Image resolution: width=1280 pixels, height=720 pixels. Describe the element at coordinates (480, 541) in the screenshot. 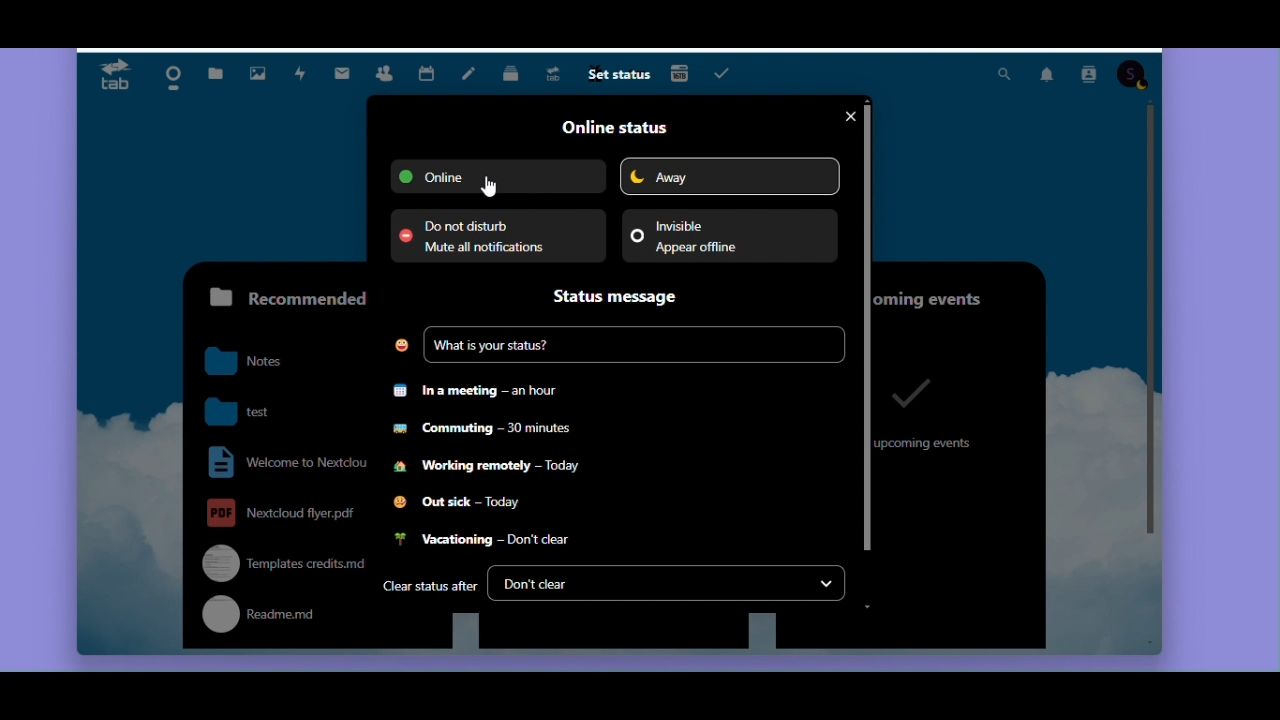

I see `Vacationing Don't clear` at that location.